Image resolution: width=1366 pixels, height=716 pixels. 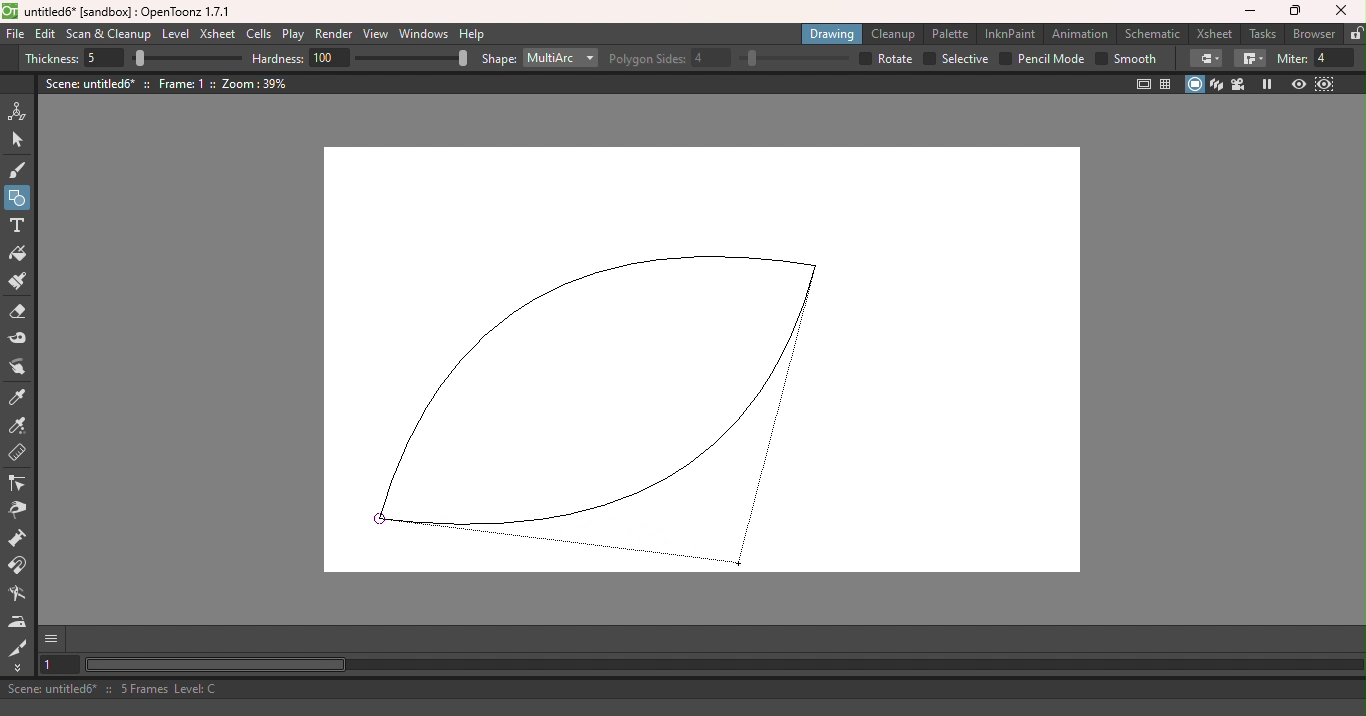 I want to click on Ruler tool, so click(x=16, y=453).